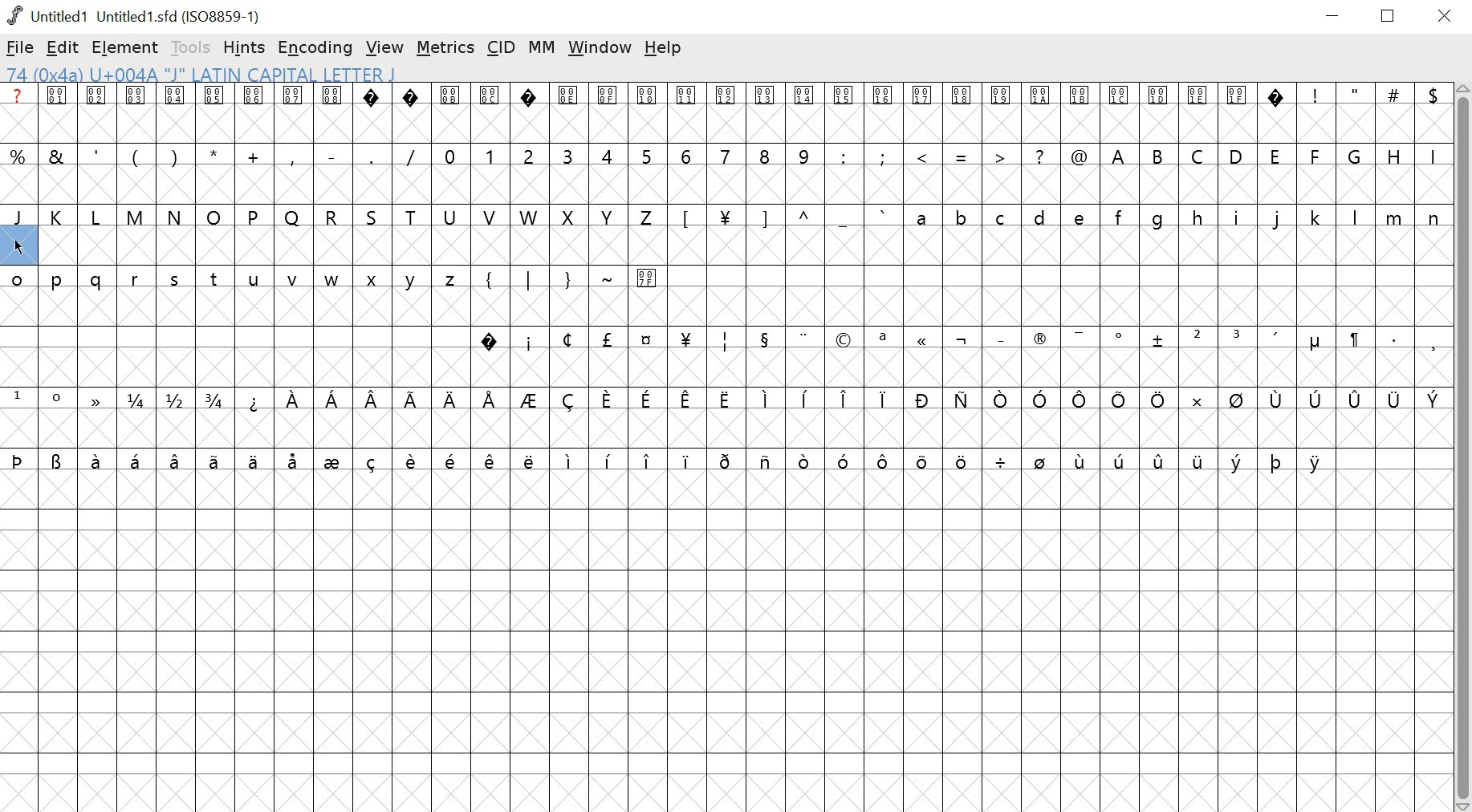  Describe the element at coordinates (644, 95) in the screenshot. I see `glyph symbols` at that location.